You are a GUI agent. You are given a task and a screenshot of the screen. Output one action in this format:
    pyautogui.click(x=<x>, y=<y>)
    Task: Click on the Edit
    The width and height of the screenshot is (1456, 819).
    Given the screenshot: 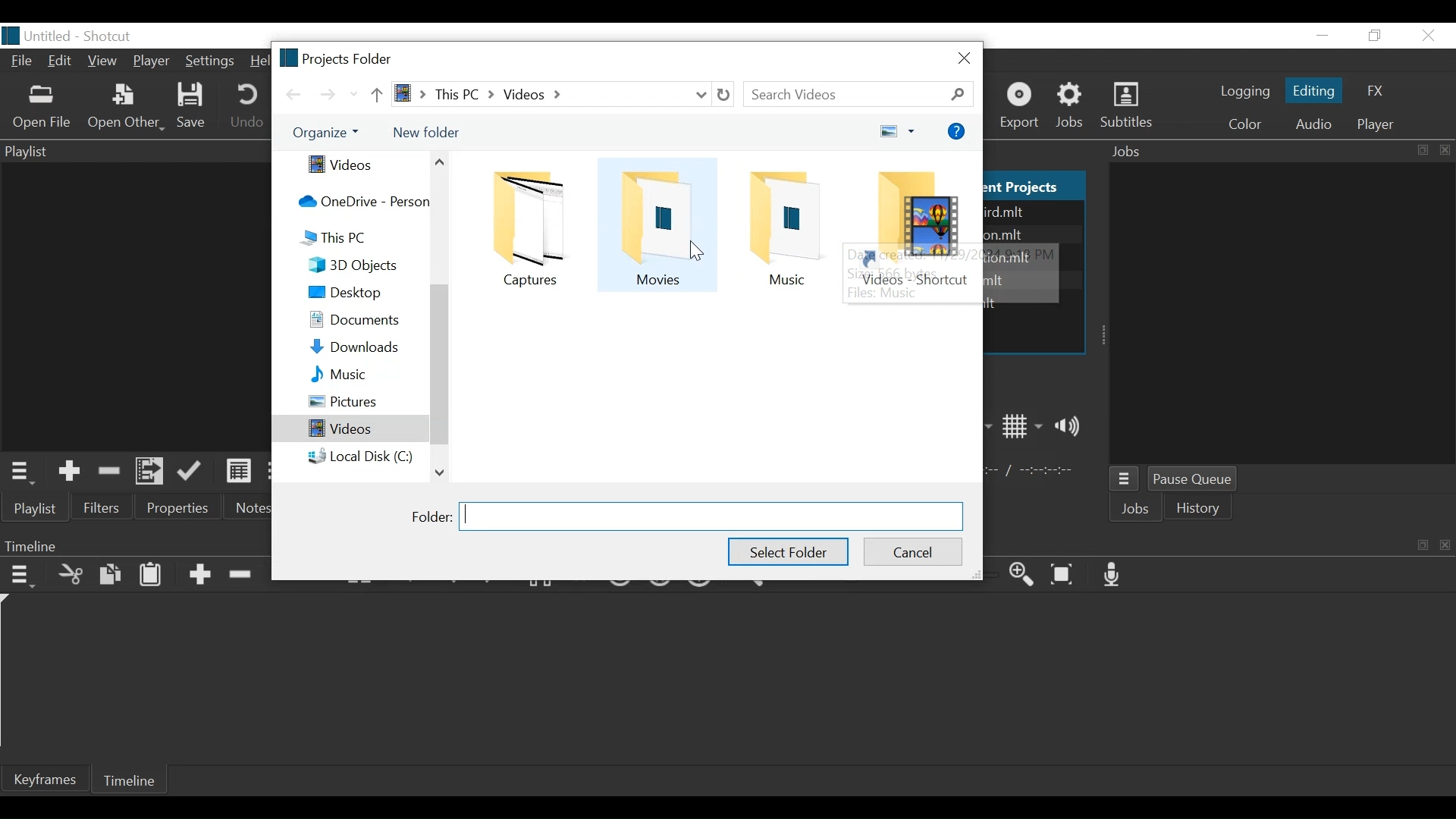 What is the action you would take?
    pyautogui.click(x=61, y=63)
    